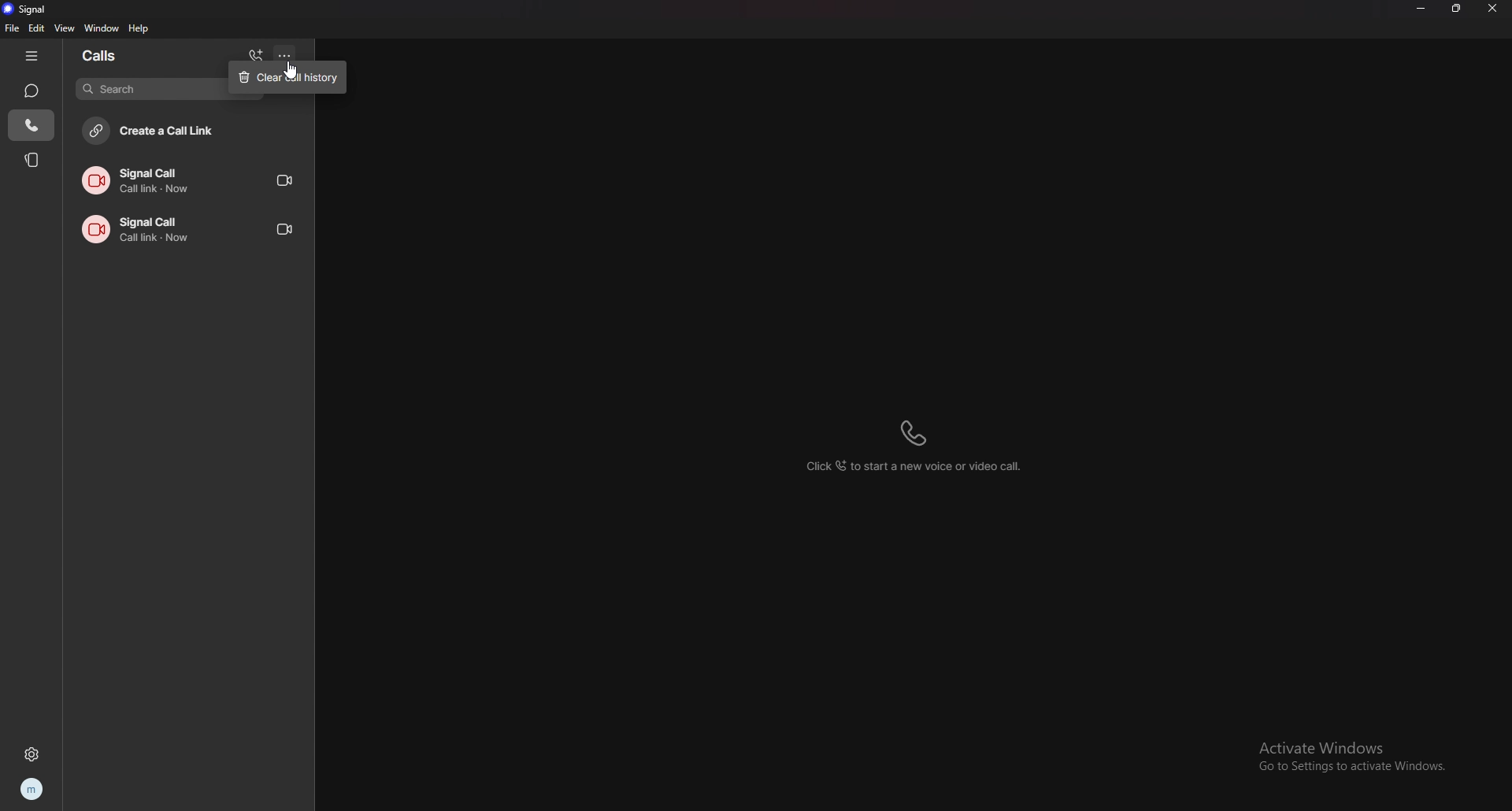  I want to click on search, so click(151, 89).